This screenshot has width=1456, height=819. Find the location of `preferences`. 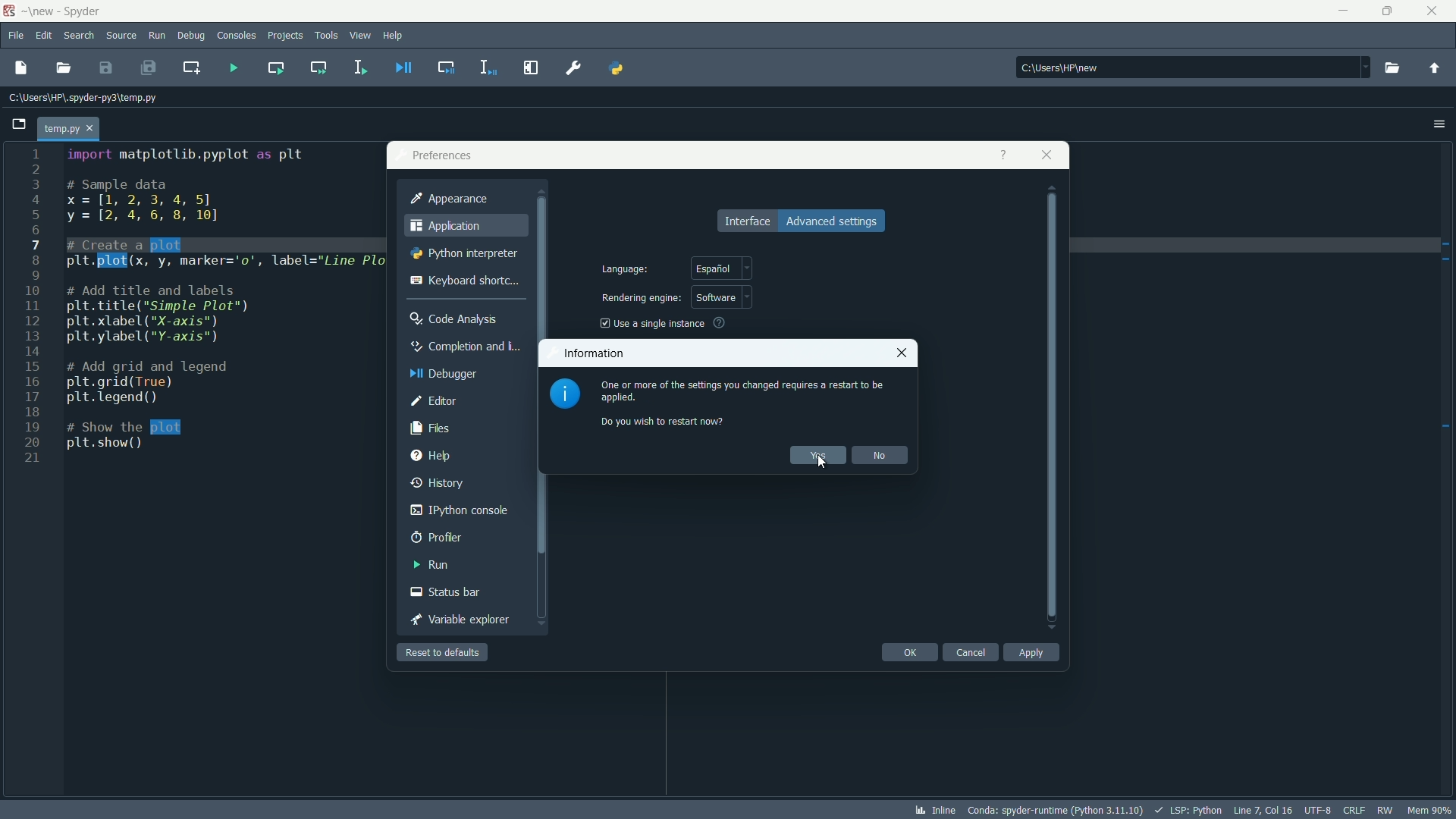

preferences is located at coordinates (443, 155).